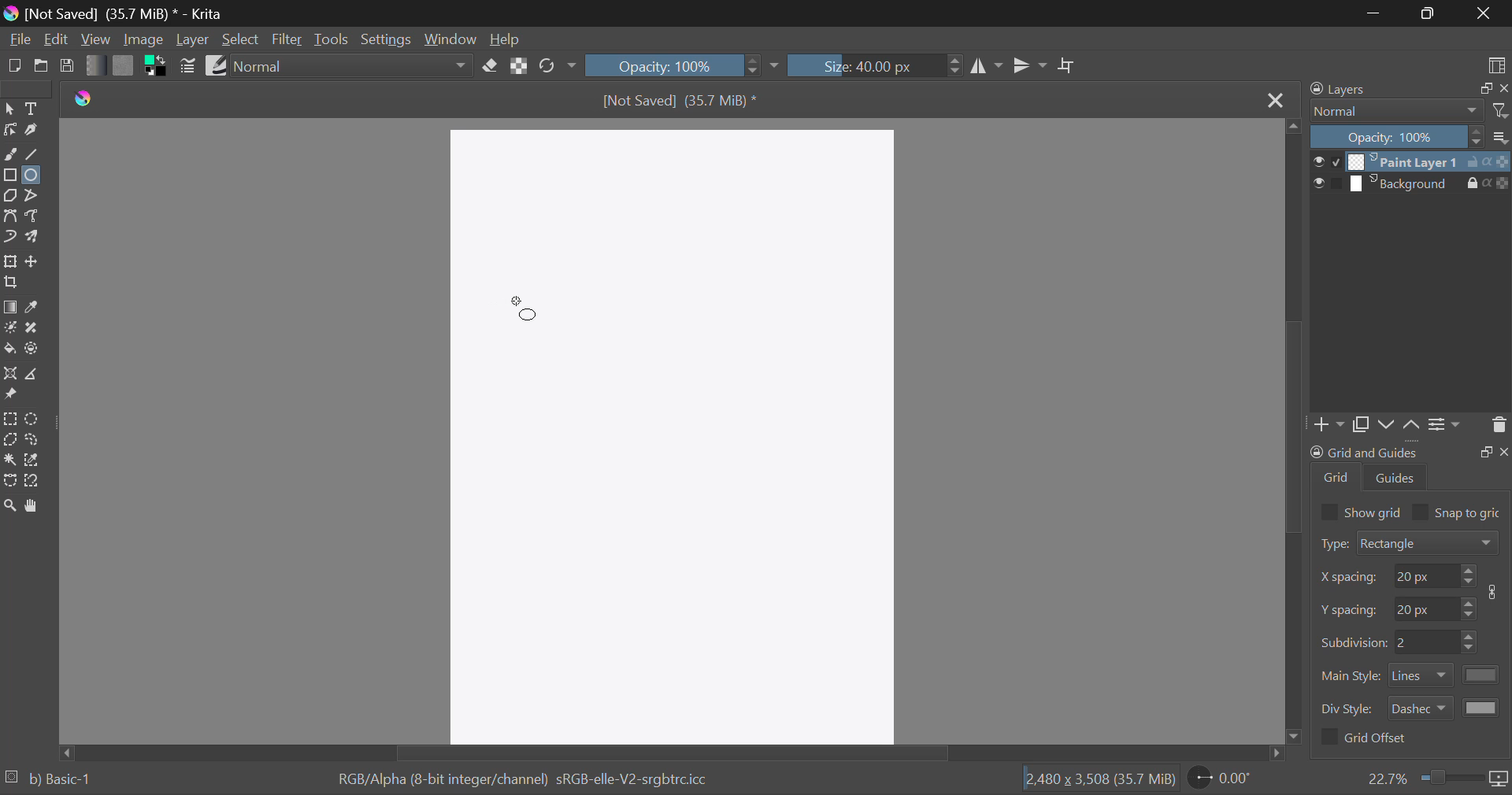  What do you see at coordinates (35, 238) in the screenshot?
I see `Multibrush Tool` at bounding box center [35, 238].